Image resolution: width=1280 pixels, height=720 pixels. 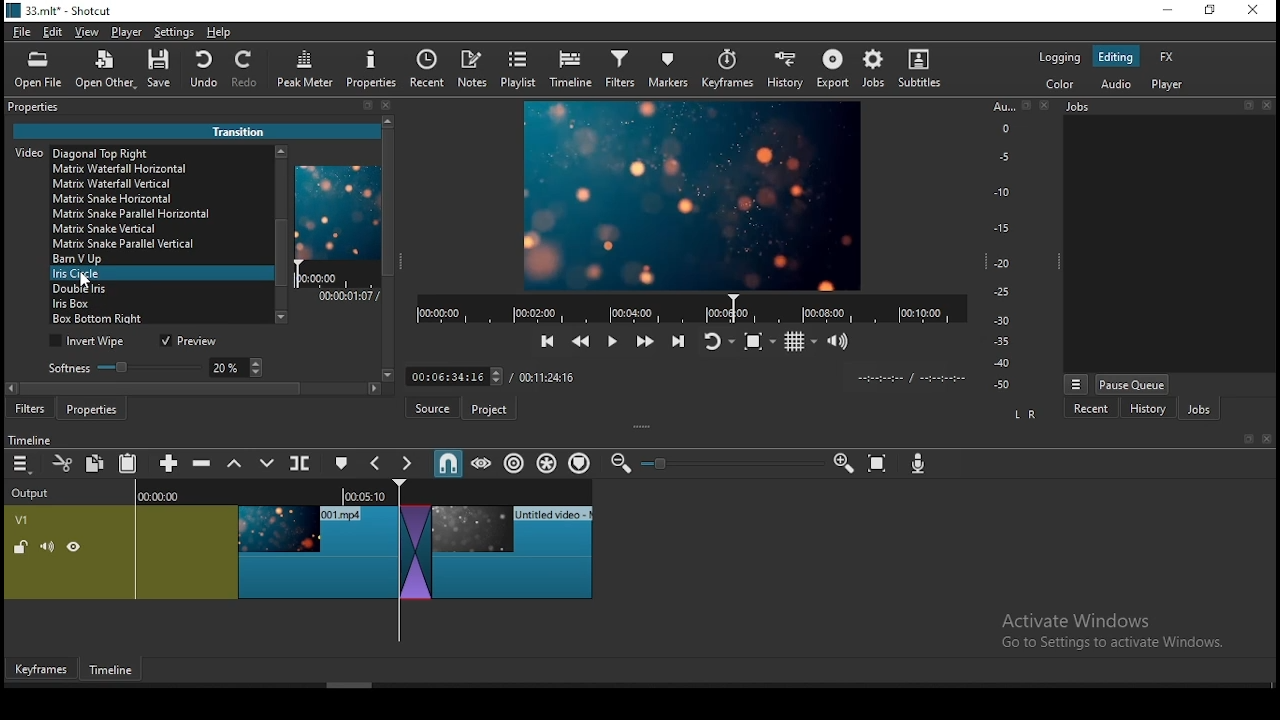 I want to click on Video [Dissolve, so click(x=86, y=151).